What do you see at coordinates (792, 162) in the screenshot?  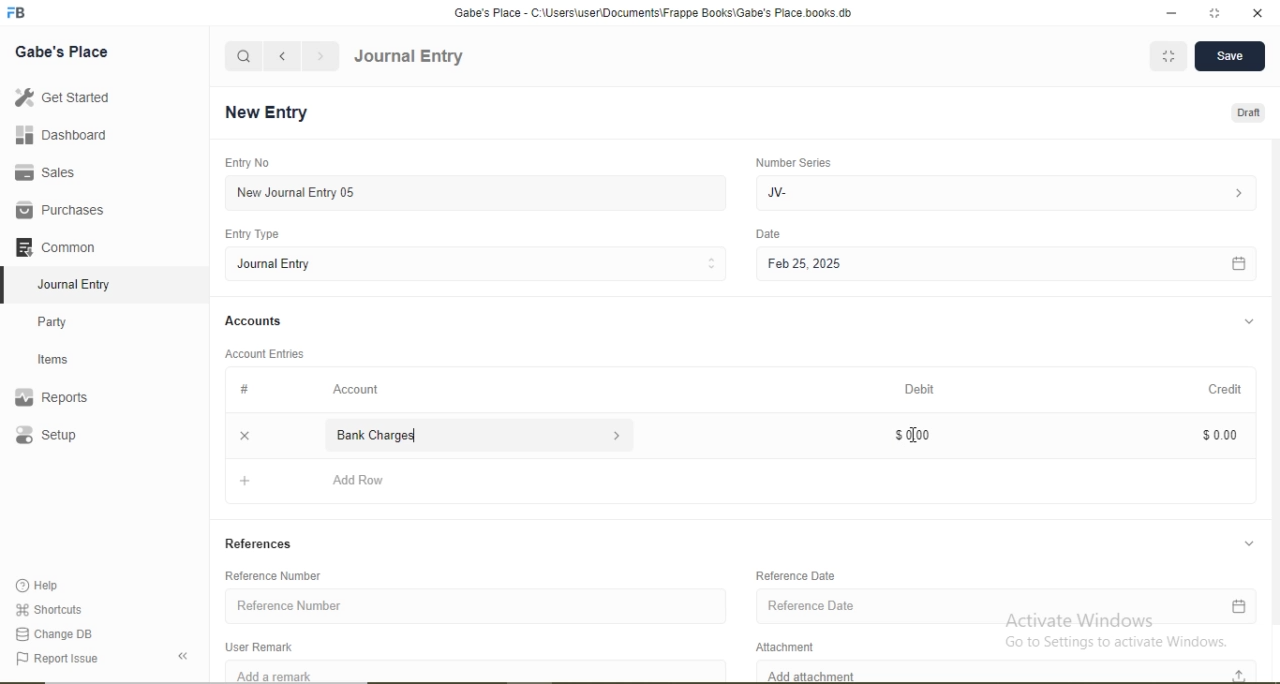 I see `Number Series` at bounding box center [792, 162].